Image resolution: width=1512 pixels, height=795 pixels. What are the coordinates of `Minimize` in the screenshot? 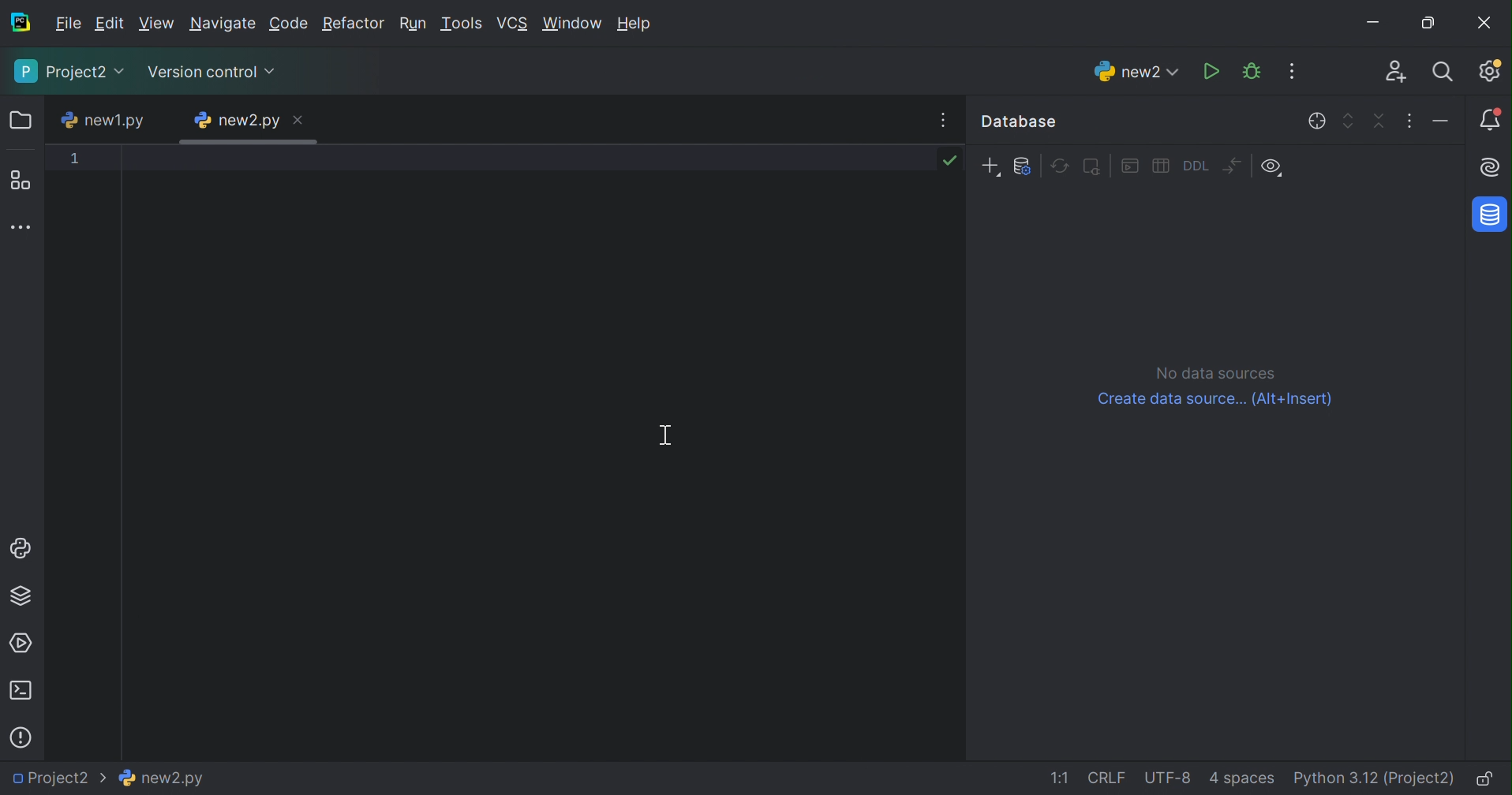 It's located at (1381, 23).